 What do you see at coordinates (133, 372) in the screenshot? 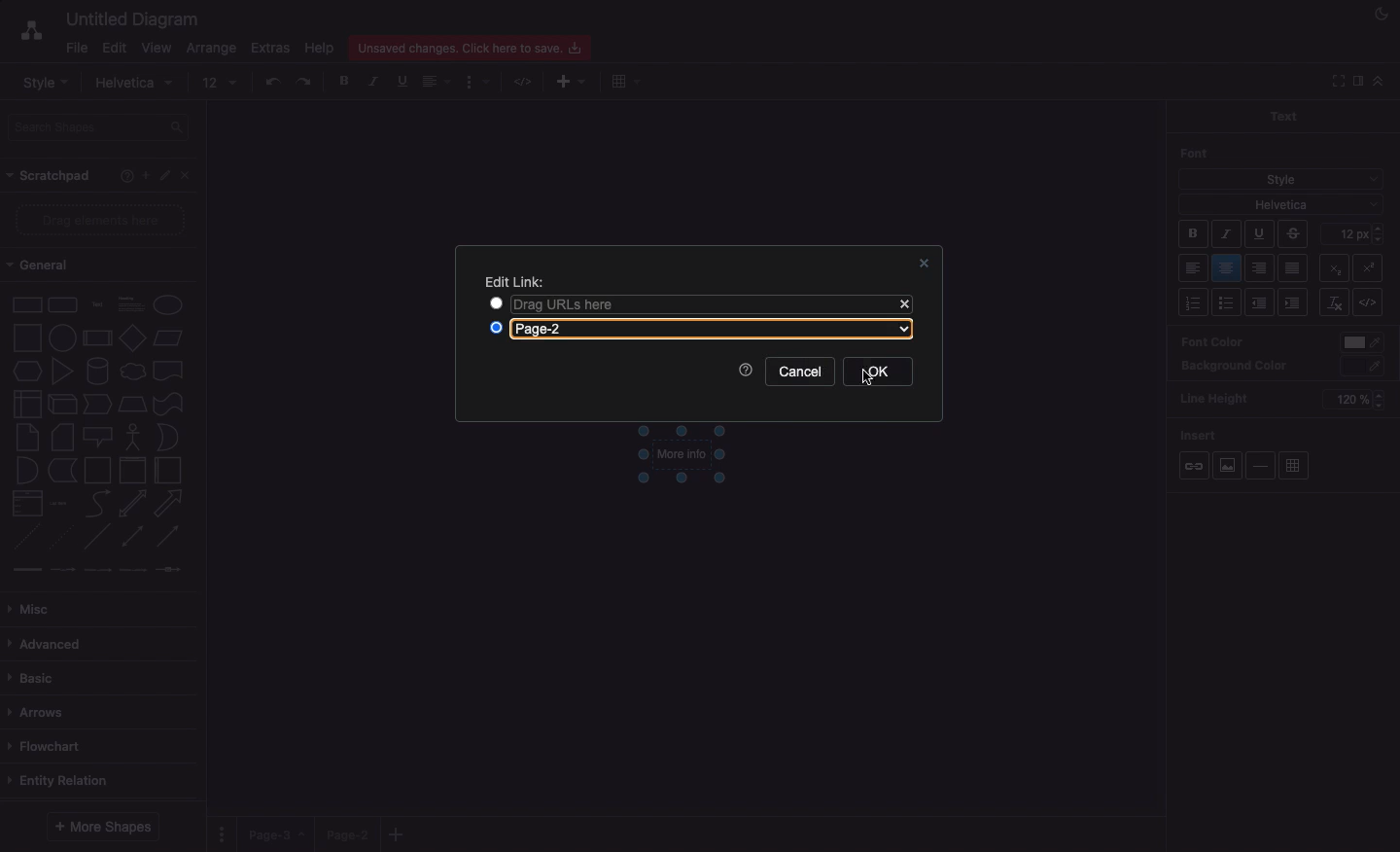
I see `cloud` at bounding box center [133, 372].